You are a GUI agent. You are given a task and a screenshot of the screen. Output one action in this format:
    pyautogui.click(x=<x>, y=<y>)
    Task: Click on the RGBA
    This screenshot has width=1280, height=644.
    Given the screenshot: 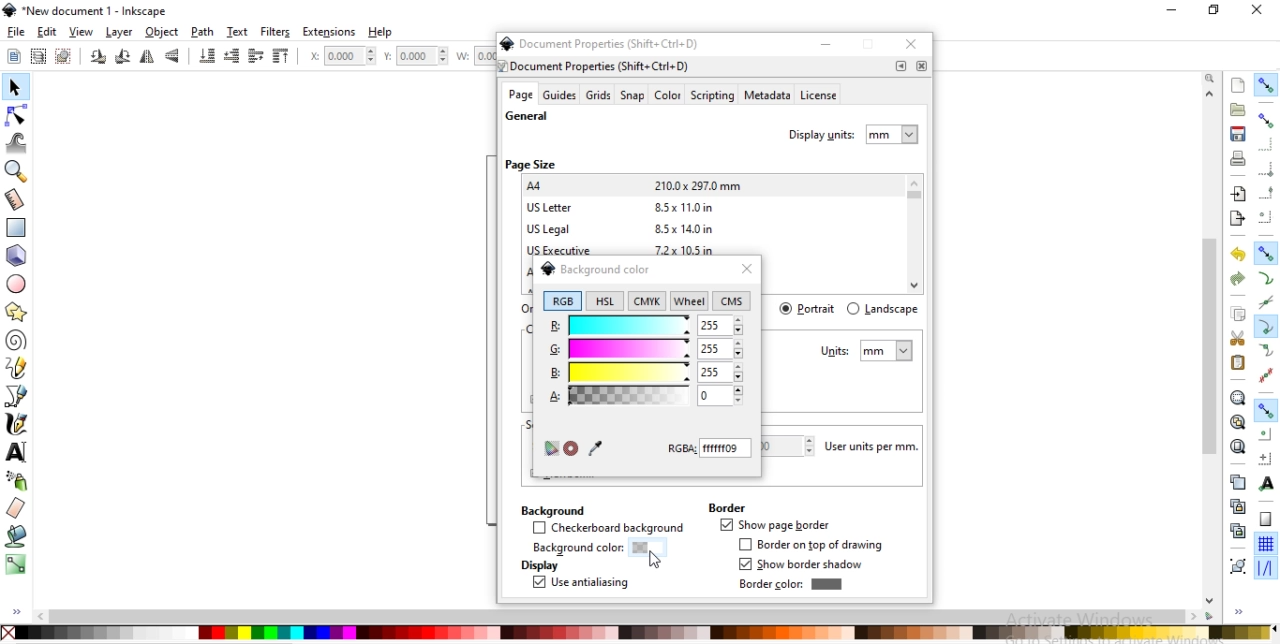 What is the action you would take?
    pyautogui.click(x=710, y=448)
    